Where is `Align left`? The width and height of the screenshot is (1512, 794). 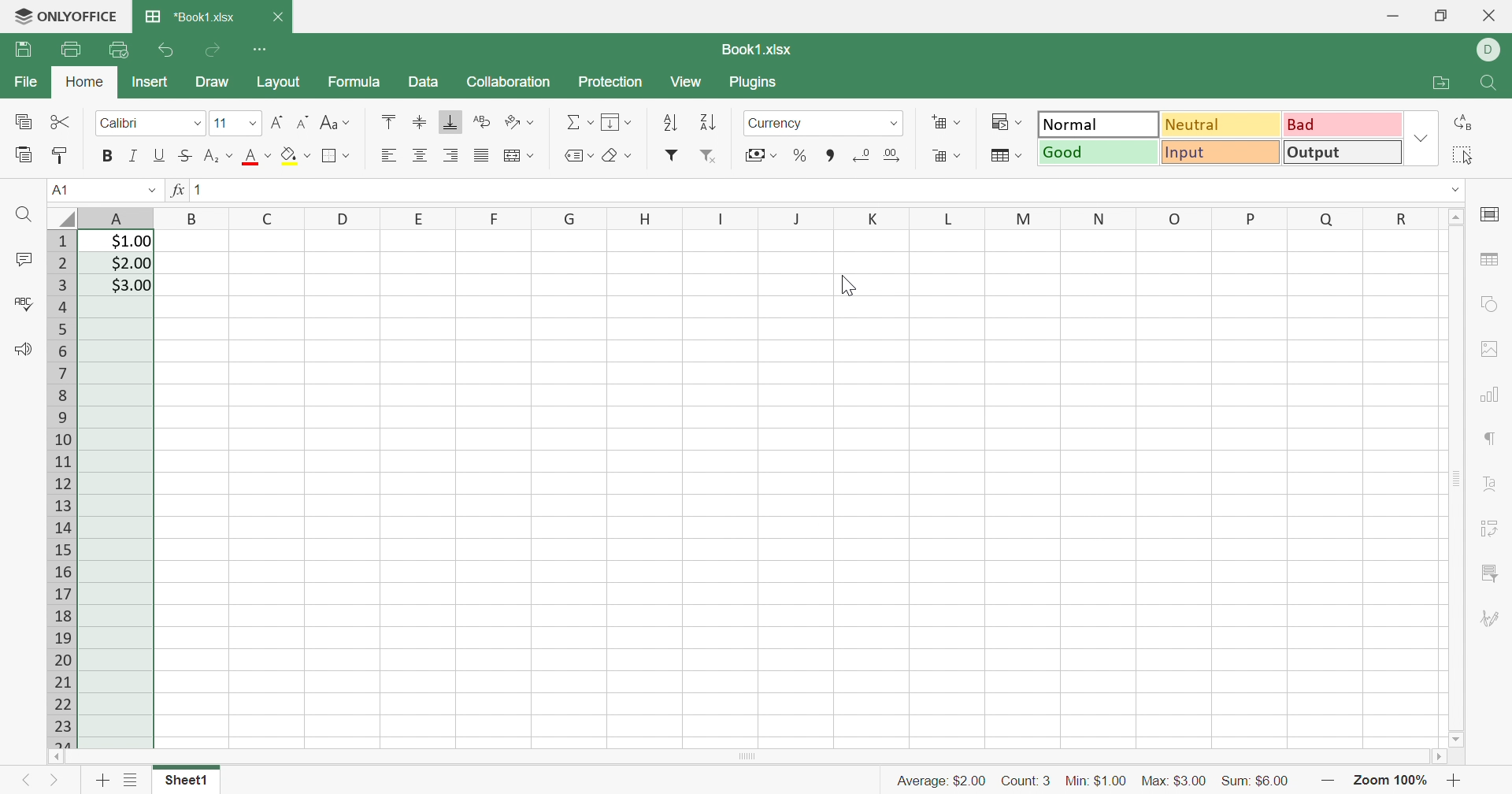
Align left is located at coordinates (388, 155).